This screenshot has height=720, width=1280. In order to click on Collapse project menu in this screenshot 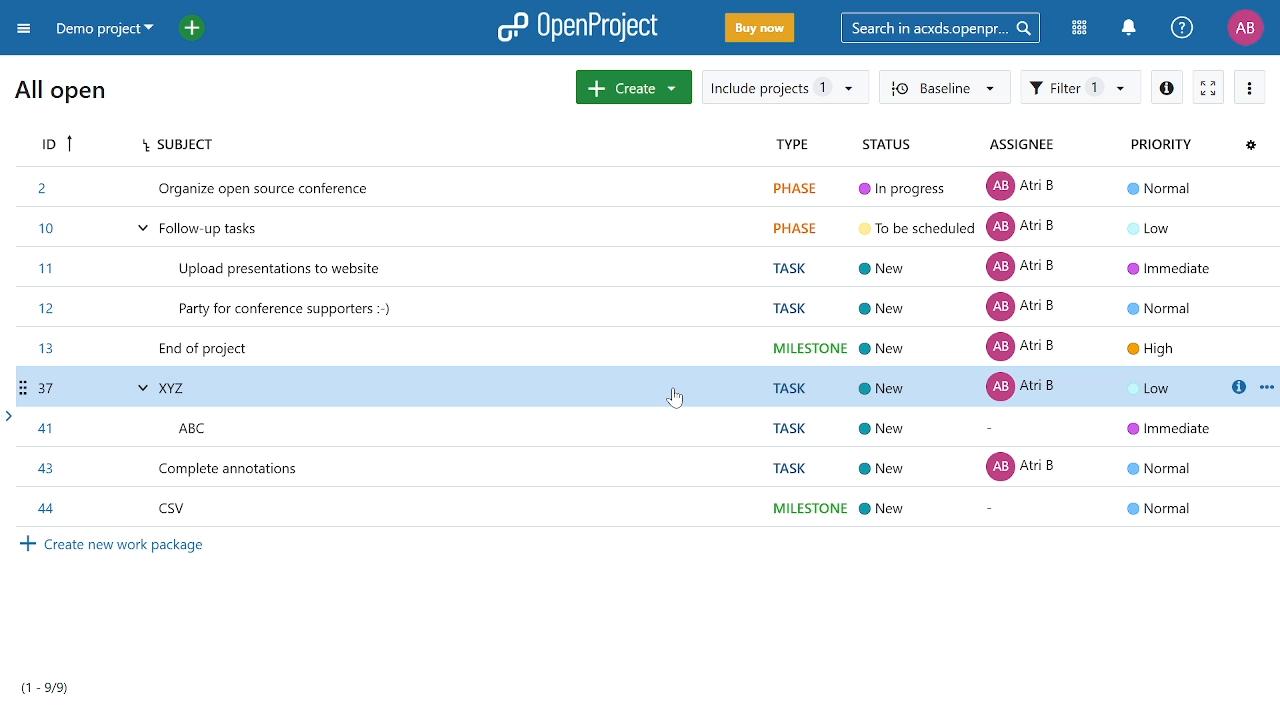, I will do `click(20, 31)`.